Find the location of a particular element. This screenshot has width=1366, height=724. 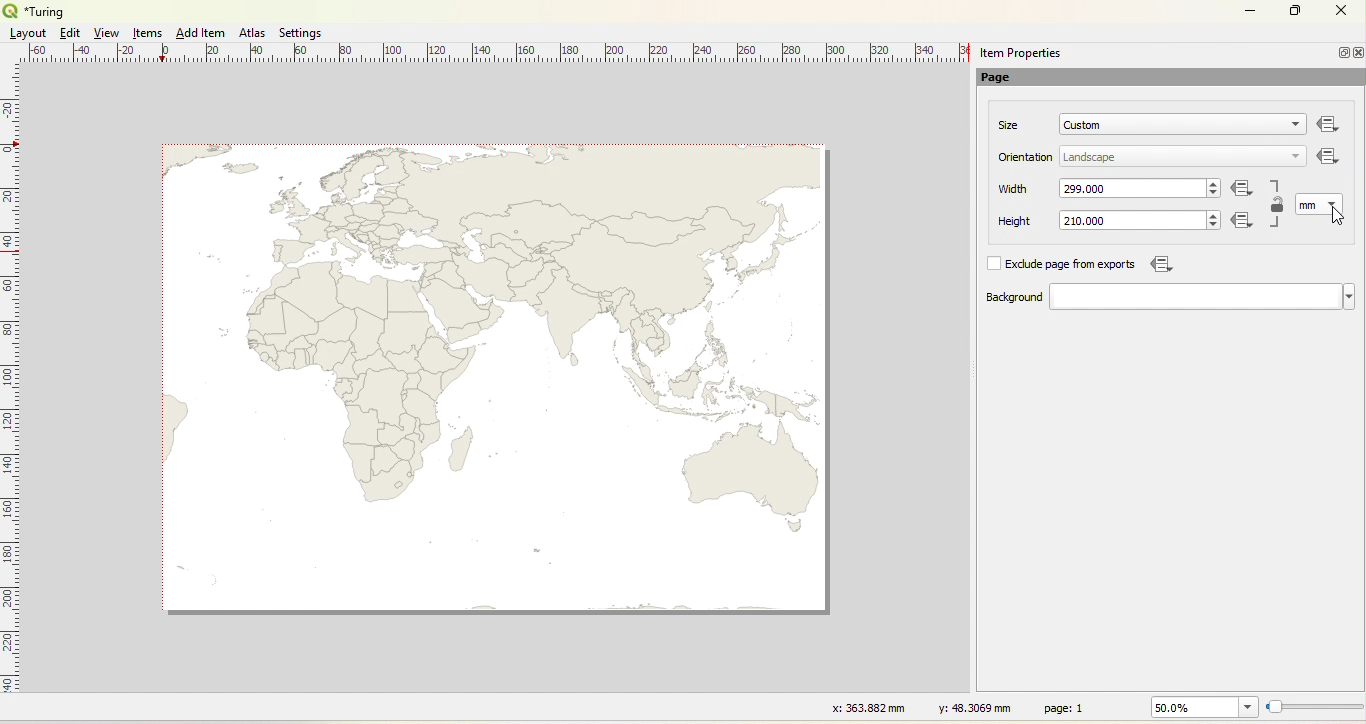

dropdown is located at coordinates (1291, 126).